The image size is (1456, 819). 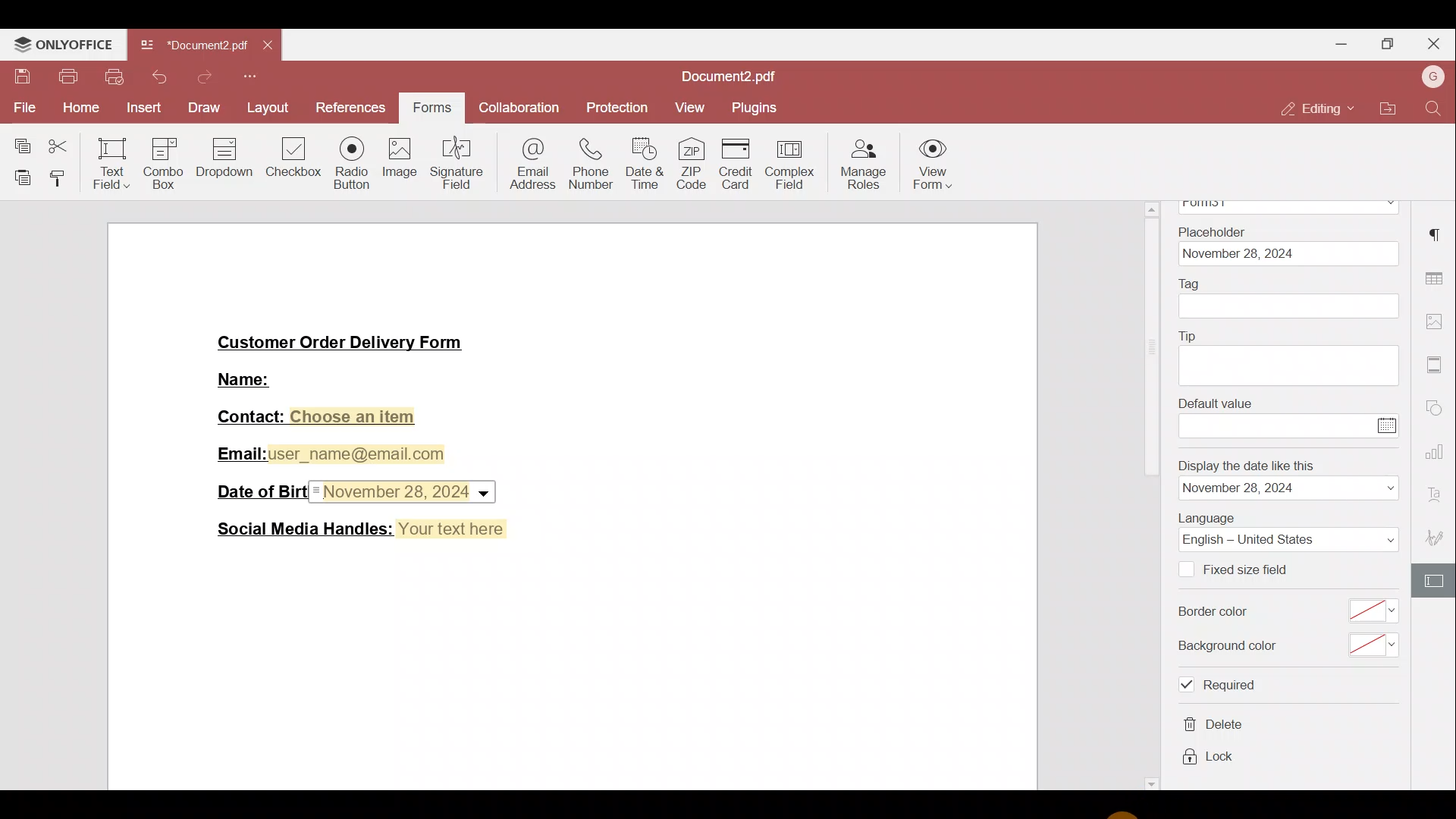 I want to click on Copy, so click(x=19, y=143).